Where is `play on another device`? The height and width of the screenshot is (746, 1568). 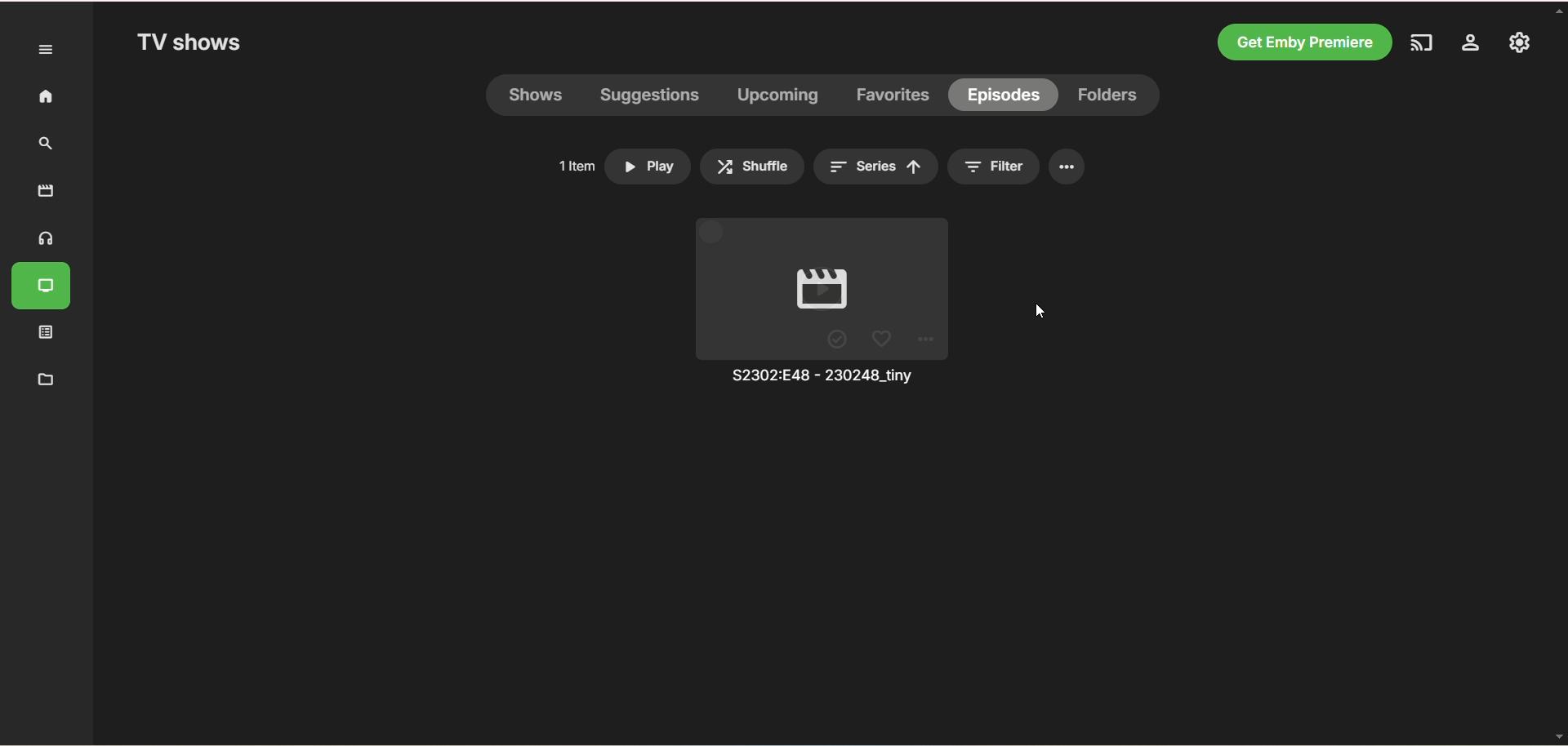 play on another device is located at coordinates (1420, 42).